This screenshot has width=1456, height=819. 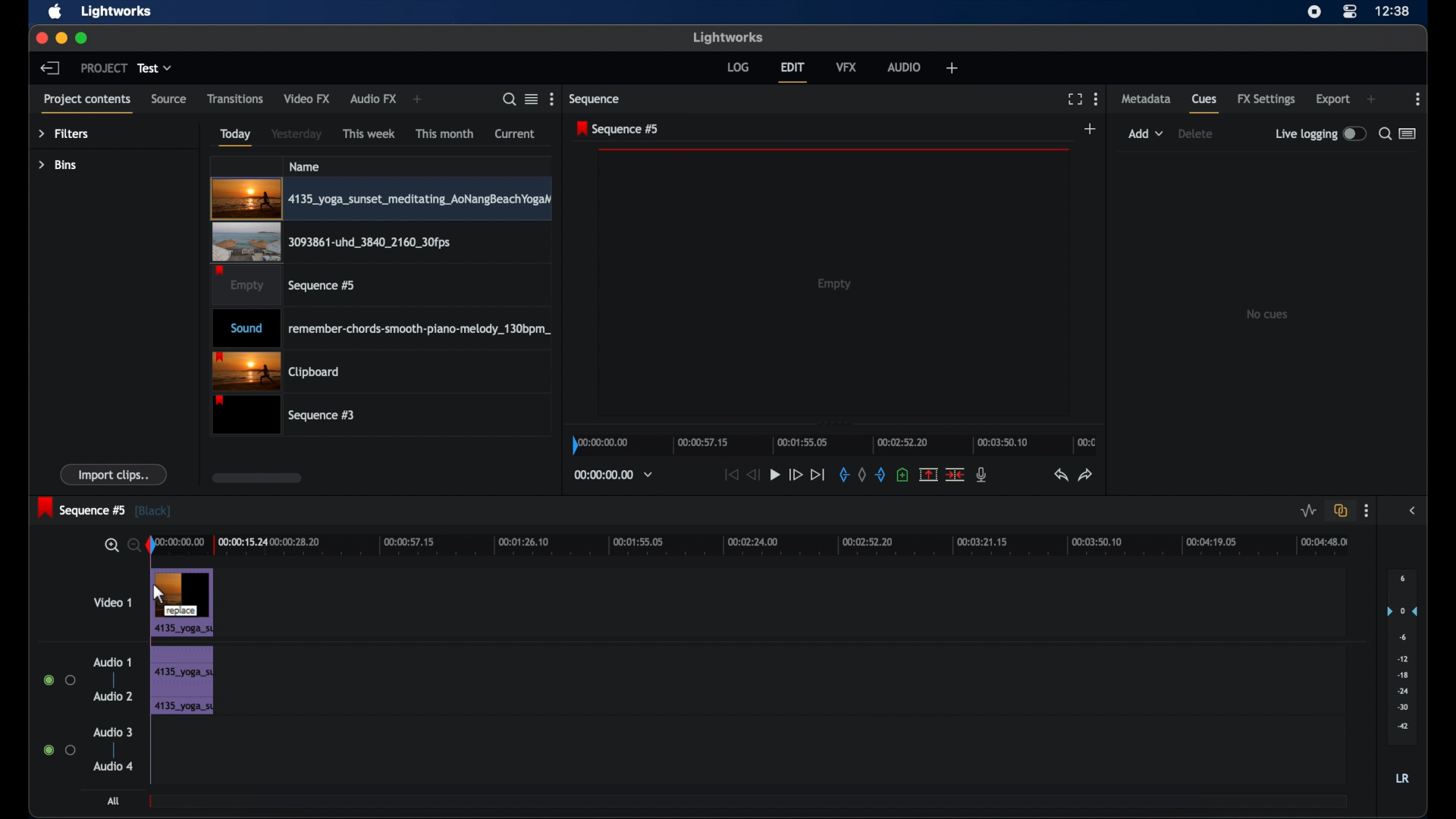 What do you see at coordinates (1313, 12) in the screenshot?
I see `screen recorder icon` at bounding box center [1313, 12].